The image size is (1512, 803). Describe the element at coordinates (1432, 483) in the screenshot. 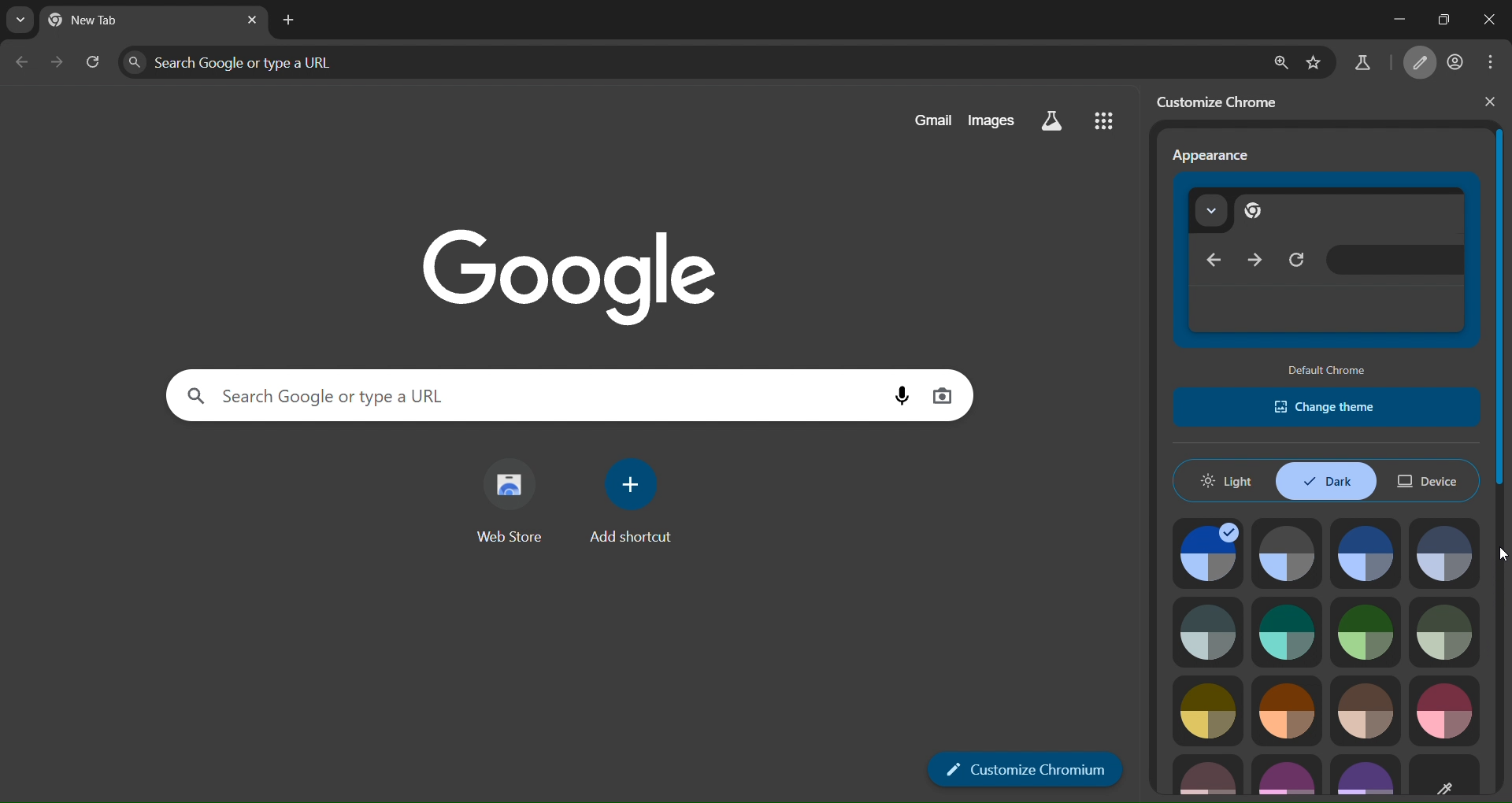

I see `device` at that location.